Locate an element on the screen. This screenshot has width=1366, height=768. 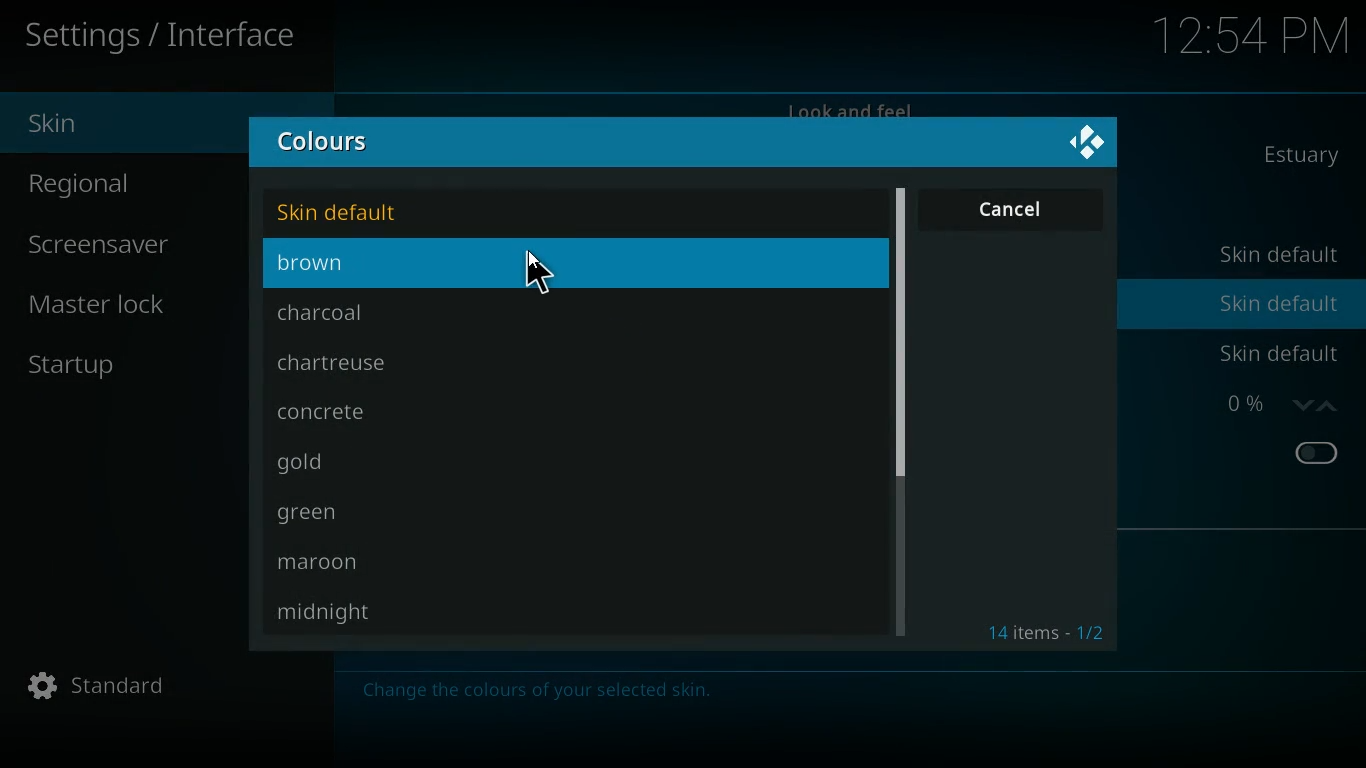
items is located at coordinates (1051, 634).